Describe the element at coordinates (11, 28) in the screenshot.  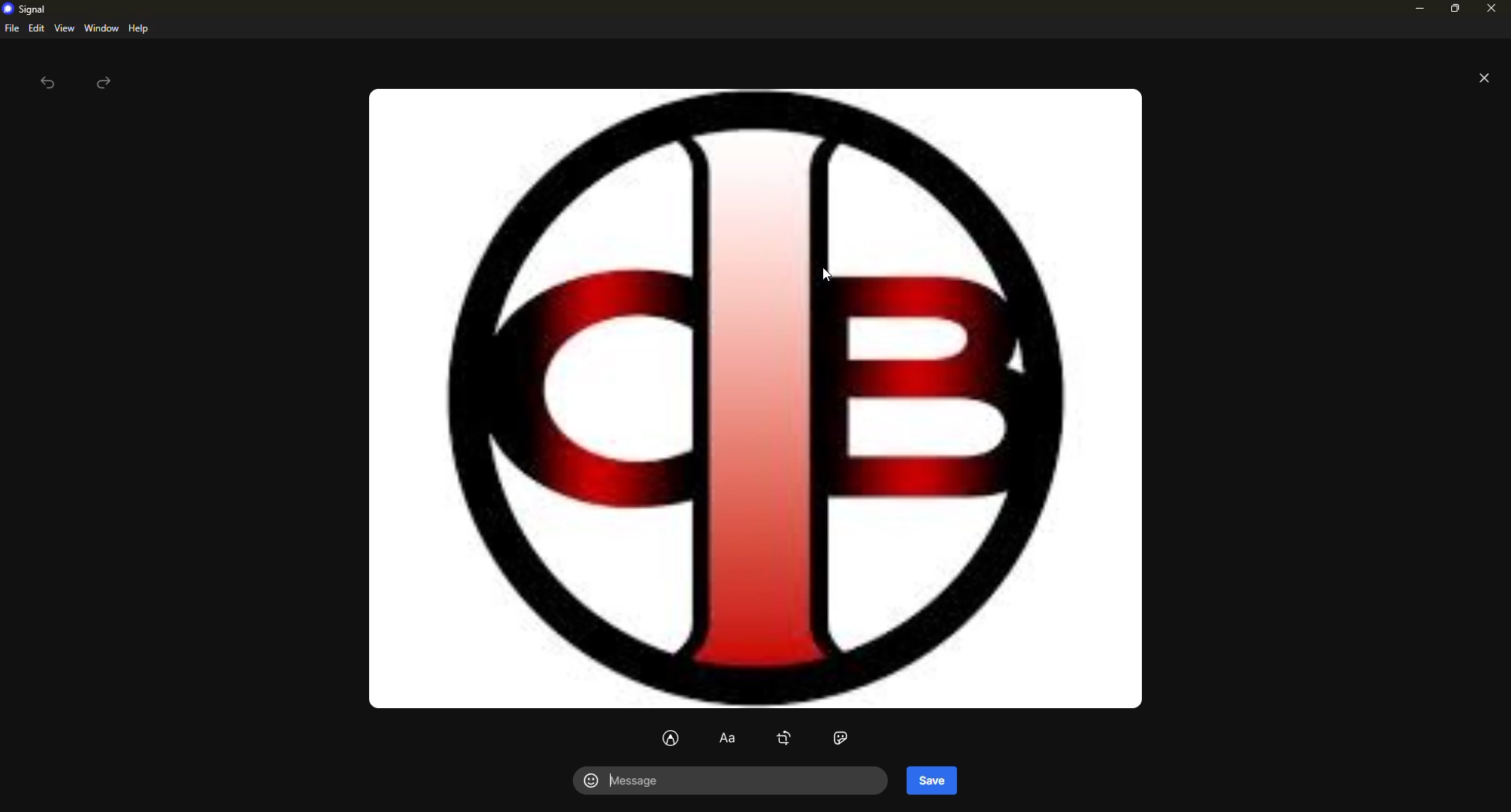
I see `file` at that location.